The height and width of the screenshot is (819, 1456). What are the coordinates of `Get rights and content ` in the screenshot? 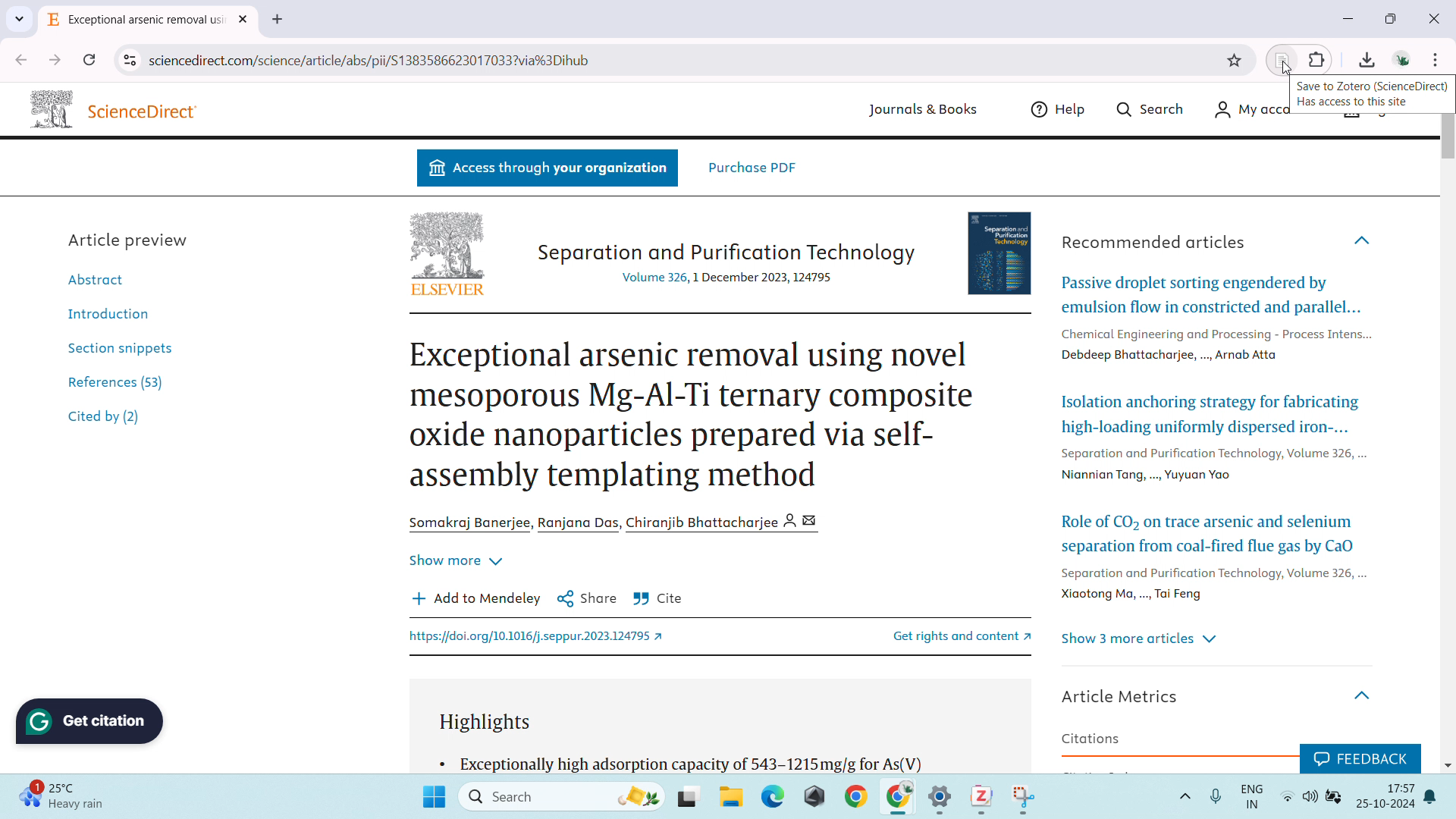 It's located at (944, 635).